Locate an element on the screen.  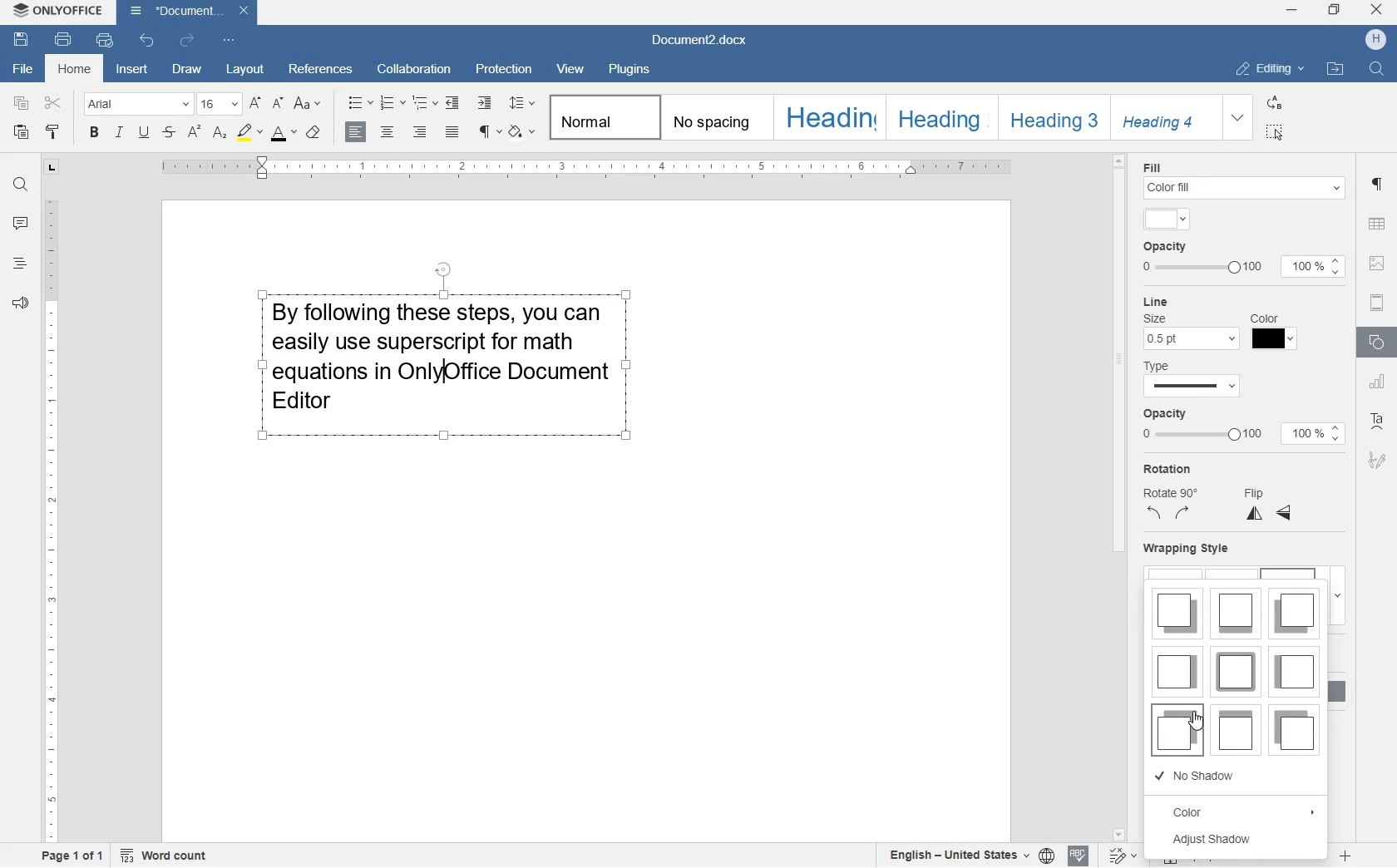
block of text written by user highlighted is located at coordinates (448, 353).